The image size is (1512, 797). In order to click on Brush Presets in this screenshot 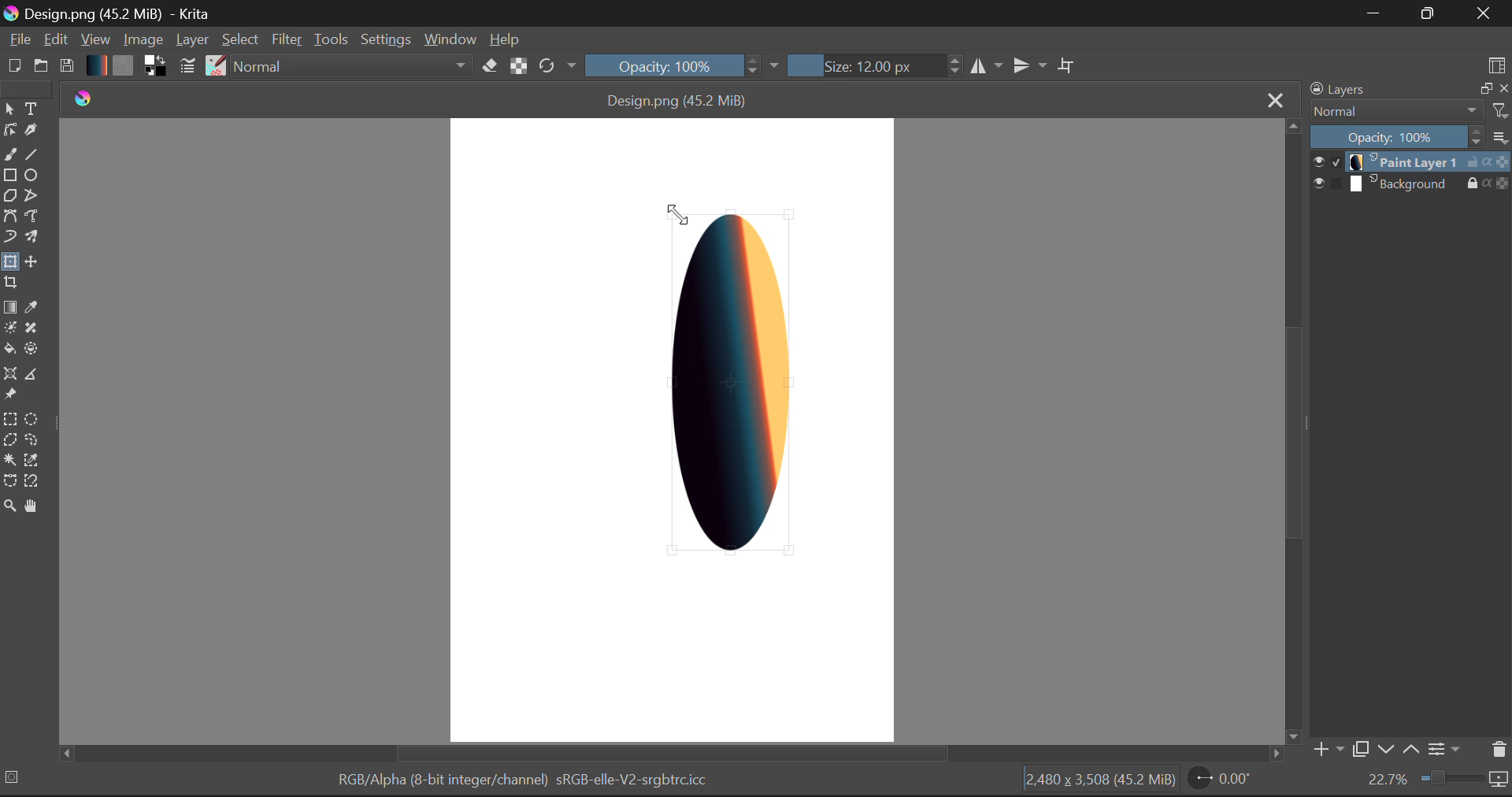, I will do `click(214, 66)`.